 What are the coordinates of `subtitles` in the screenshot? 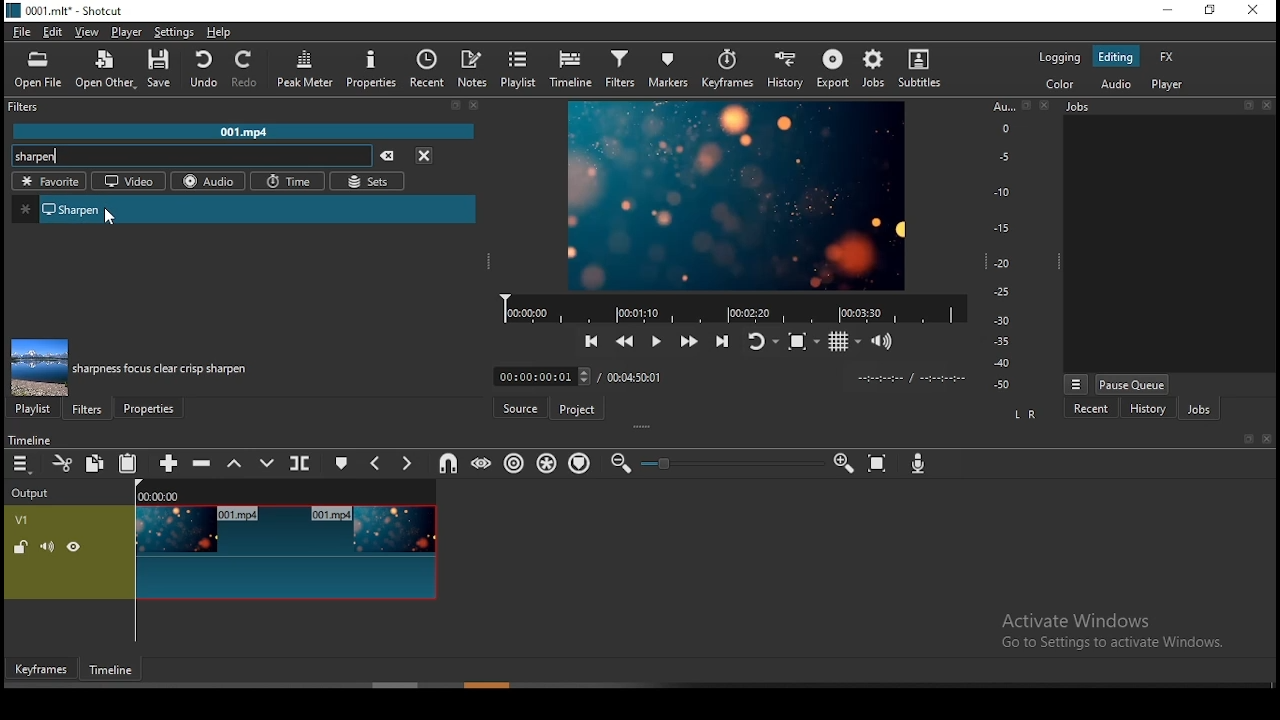 It's located at (920, 69).